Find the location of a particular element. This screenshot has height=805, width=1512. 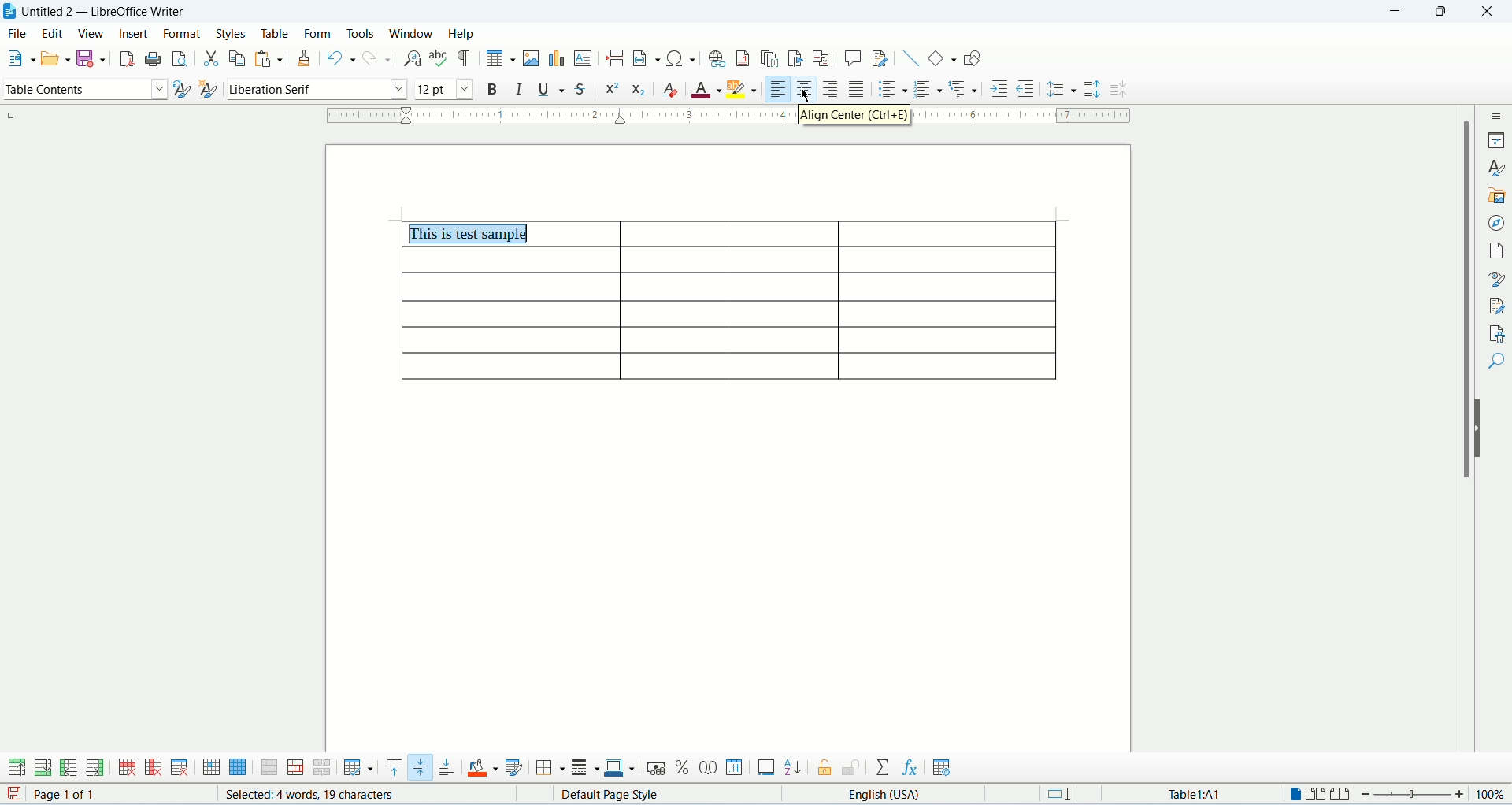

insert special characters is located at coordinates (680, 58).